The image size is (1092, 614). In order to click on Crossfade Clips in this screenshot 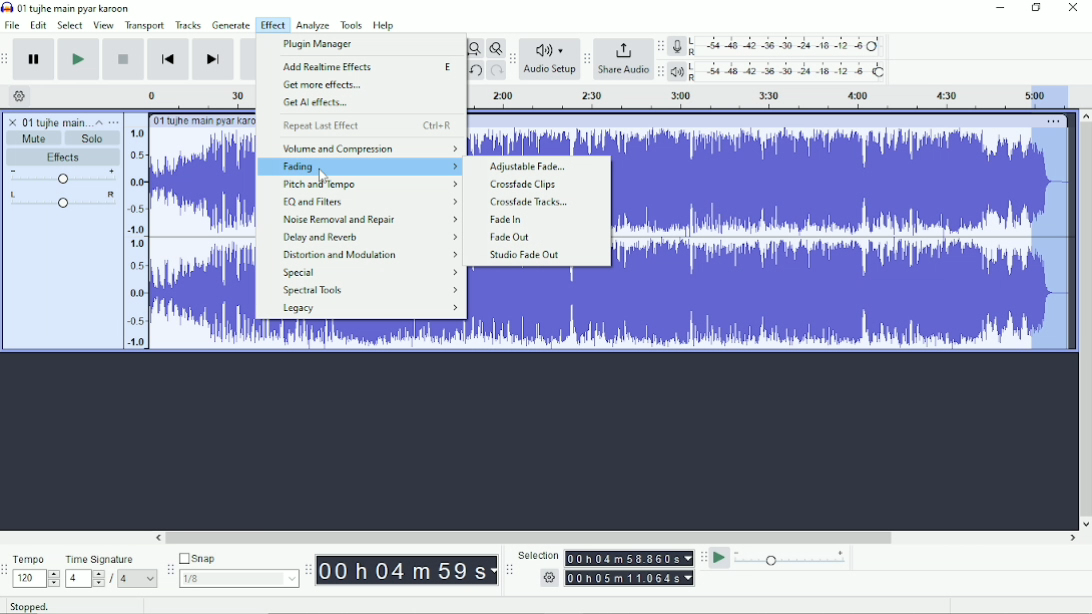, I will do `click(528, 185)`.